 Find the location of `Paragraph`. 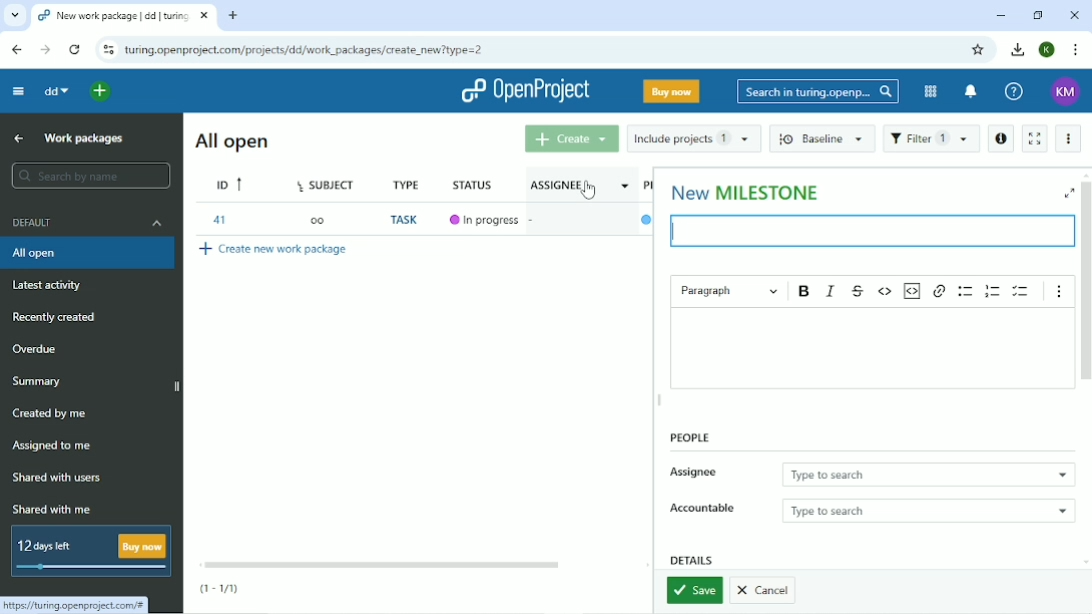

Paragraph is located at coordinates (729, 289).